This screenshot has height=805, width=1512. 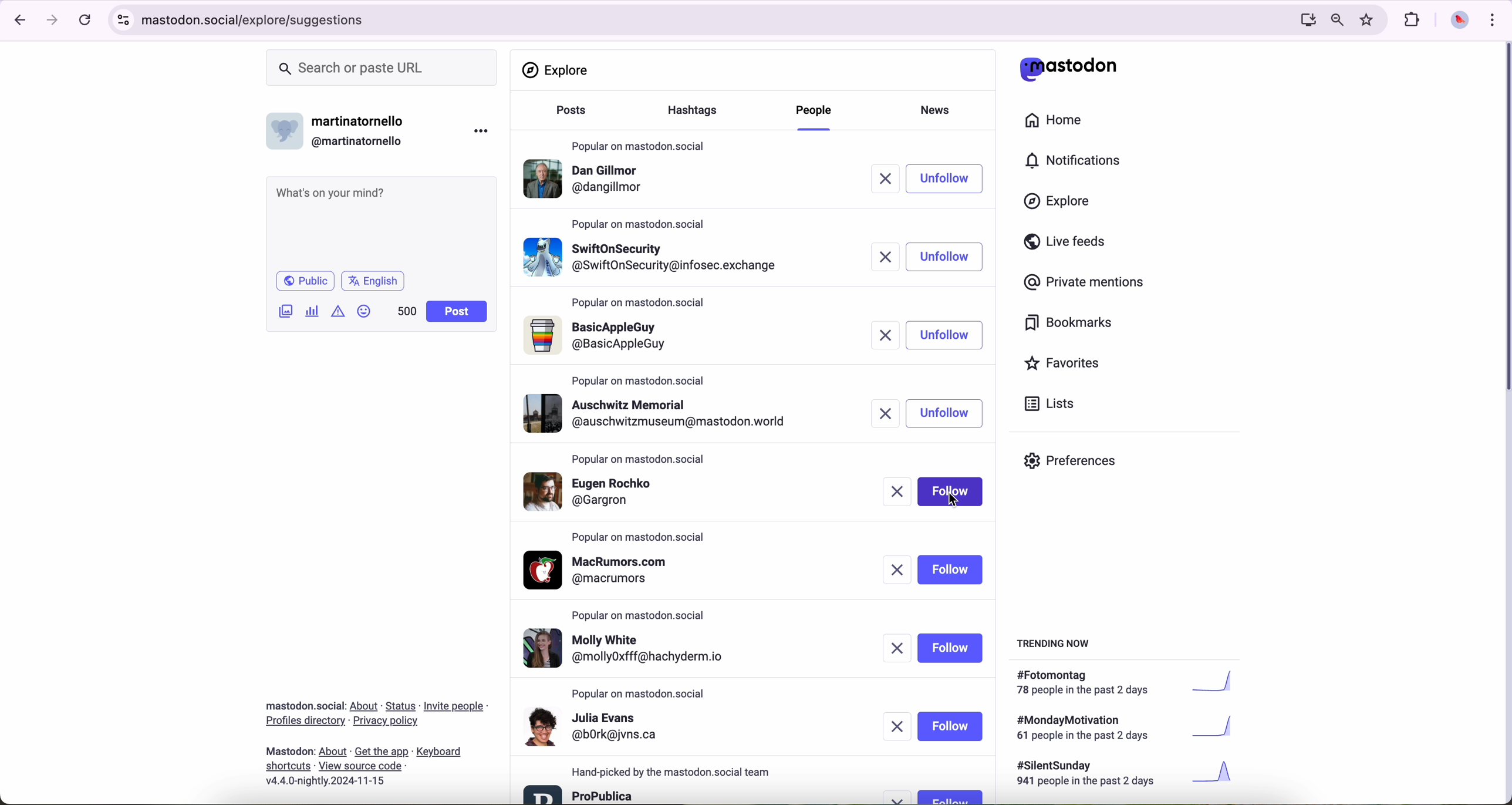 I want to click on profile, so click(x=635, y=649).